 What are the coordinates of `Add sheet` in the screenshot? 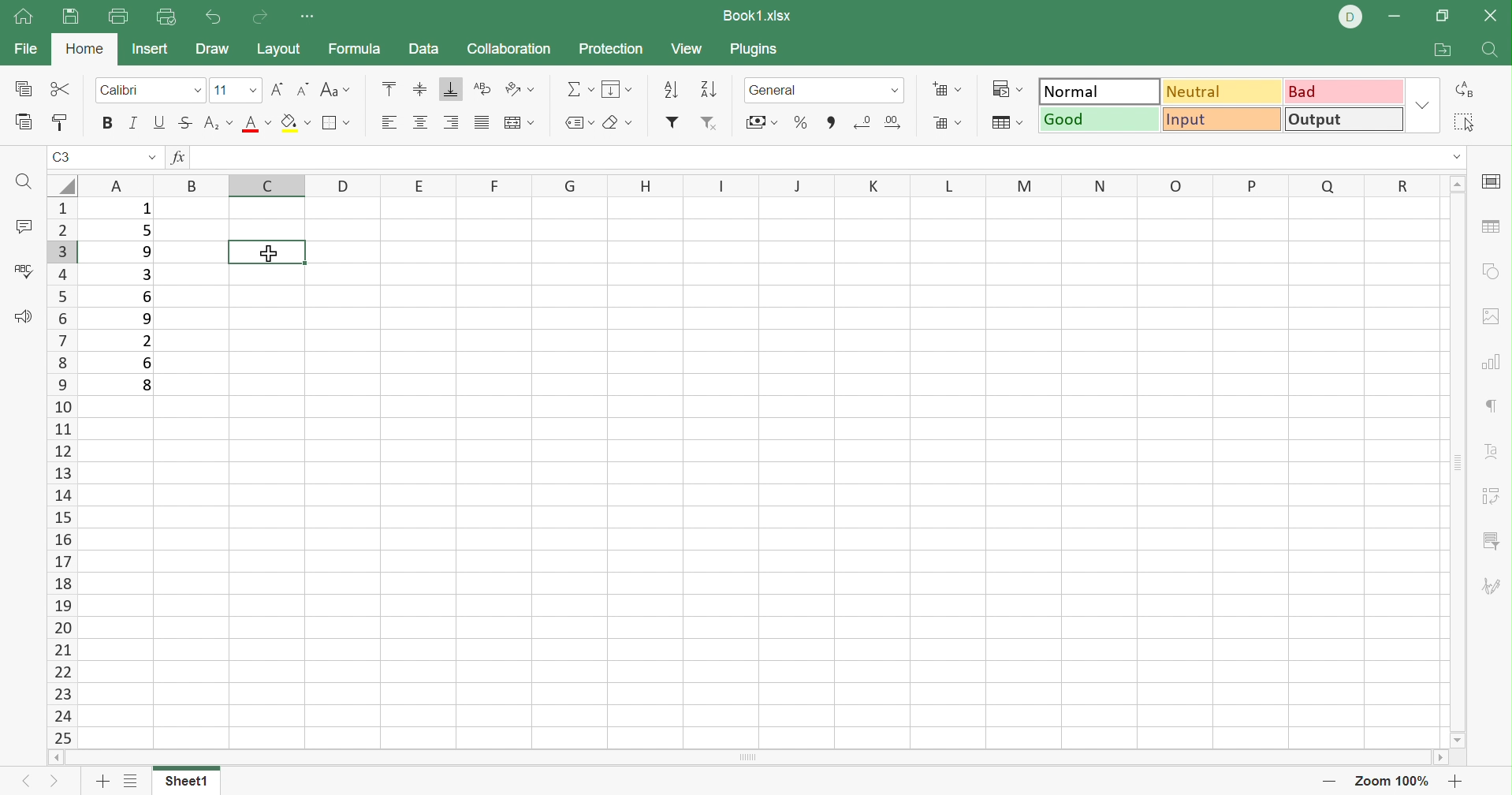 It's located at (101, 781).